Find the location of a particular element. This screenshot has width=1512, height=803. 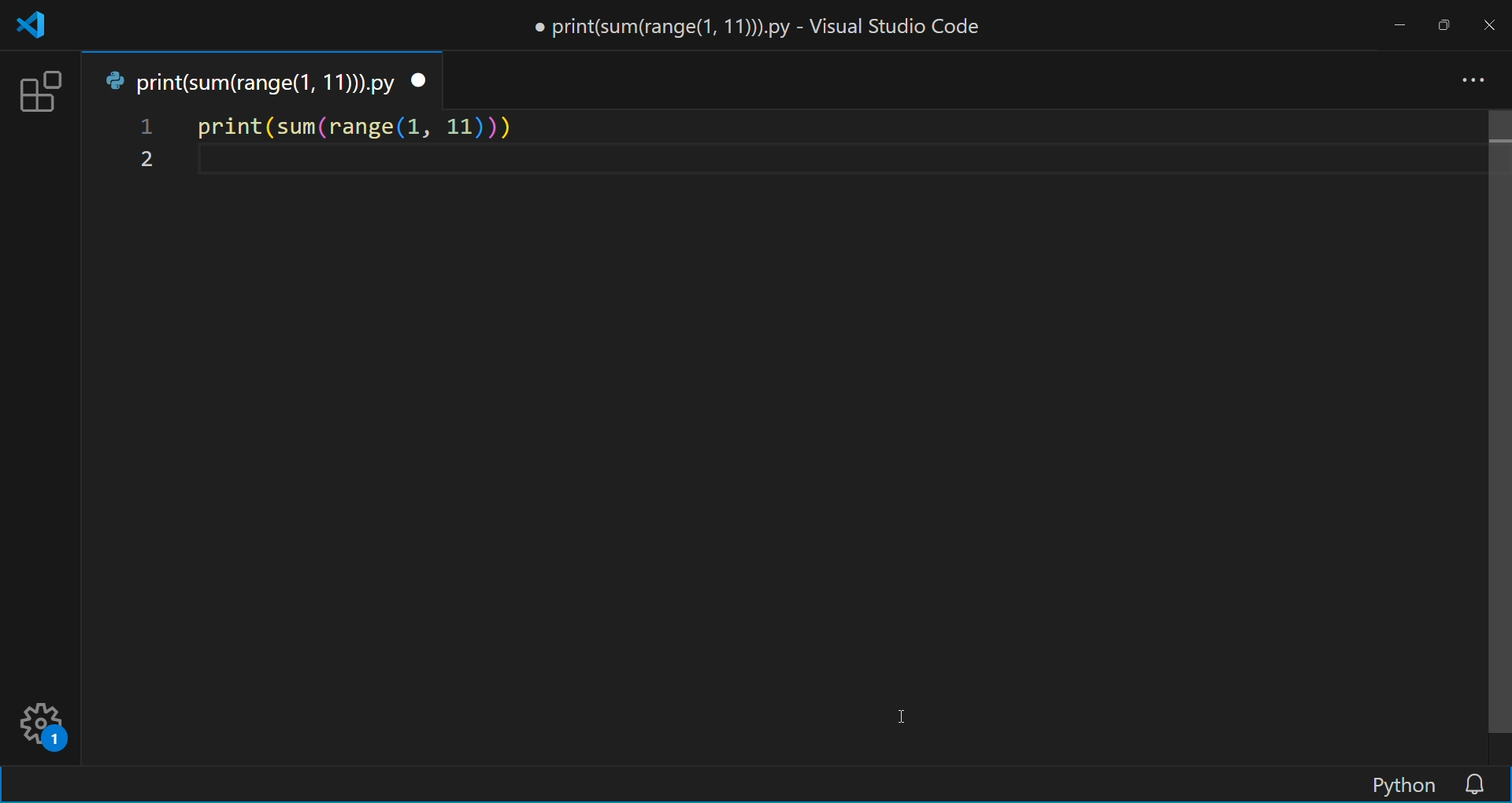

print(sum(range(1, 11))).py - Visual Studio Code is located at coordinates (754, 27).